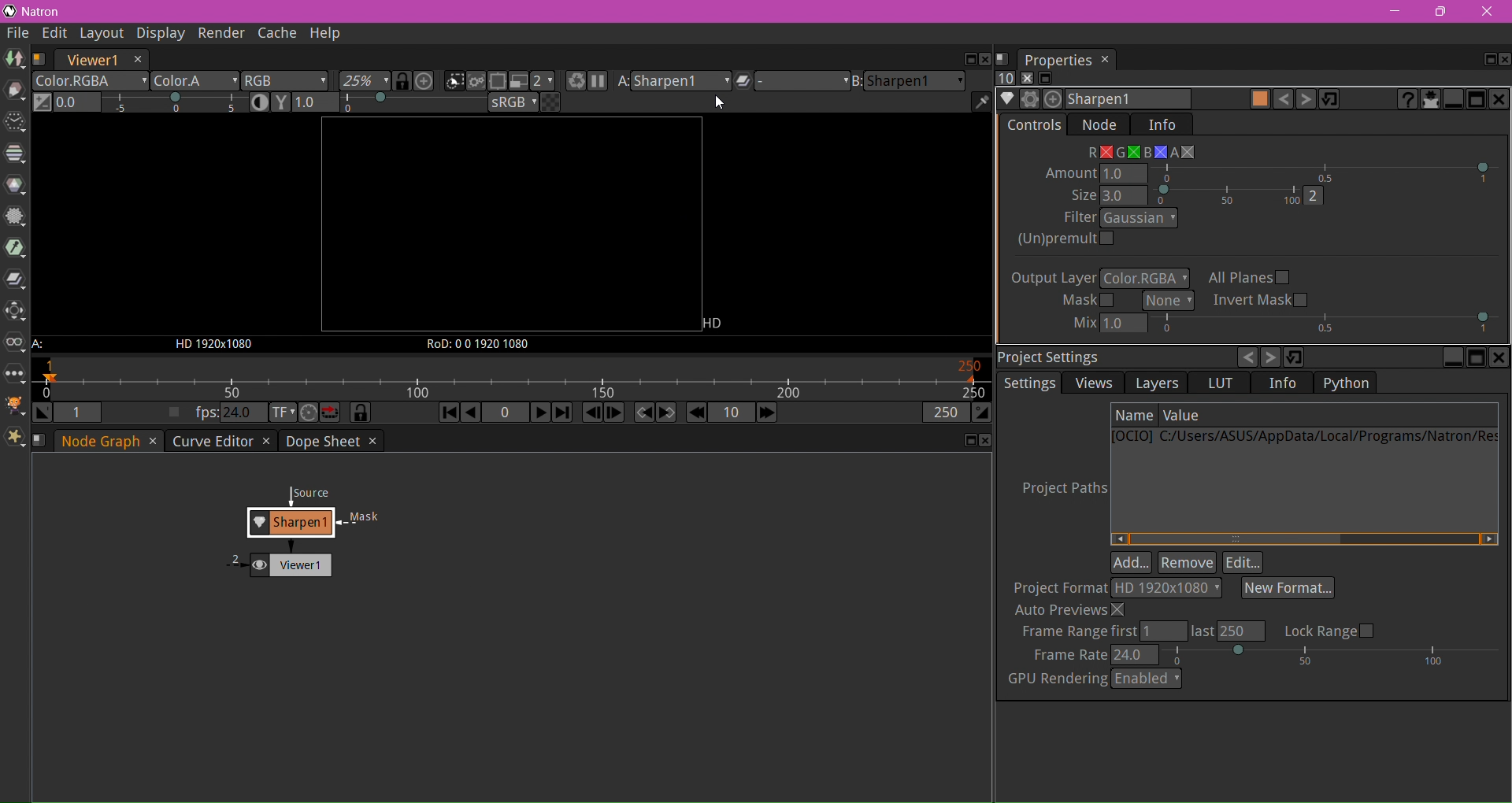  What do you see at coordinates (309, 413) in the screenshot?
I see `Turbo Mode` at bounding box center [309, 413].